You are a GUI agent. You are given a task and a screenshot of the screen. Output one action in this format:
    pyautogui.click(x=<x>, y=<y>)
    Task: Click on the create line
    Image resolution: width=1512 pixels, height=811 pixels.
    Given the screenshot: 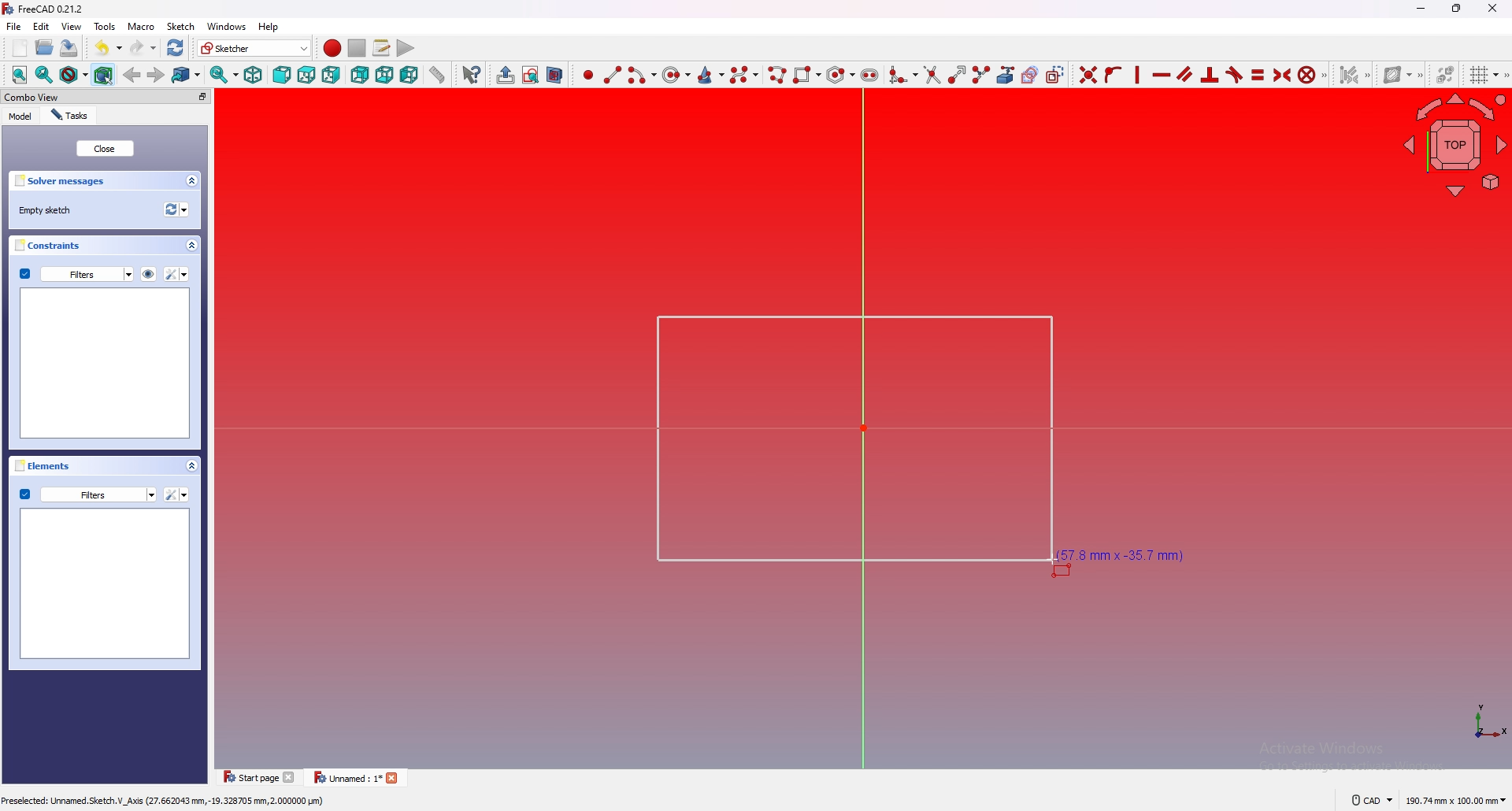 What is the action you would take?
    pyautogui.click(x=613, y=76)
    